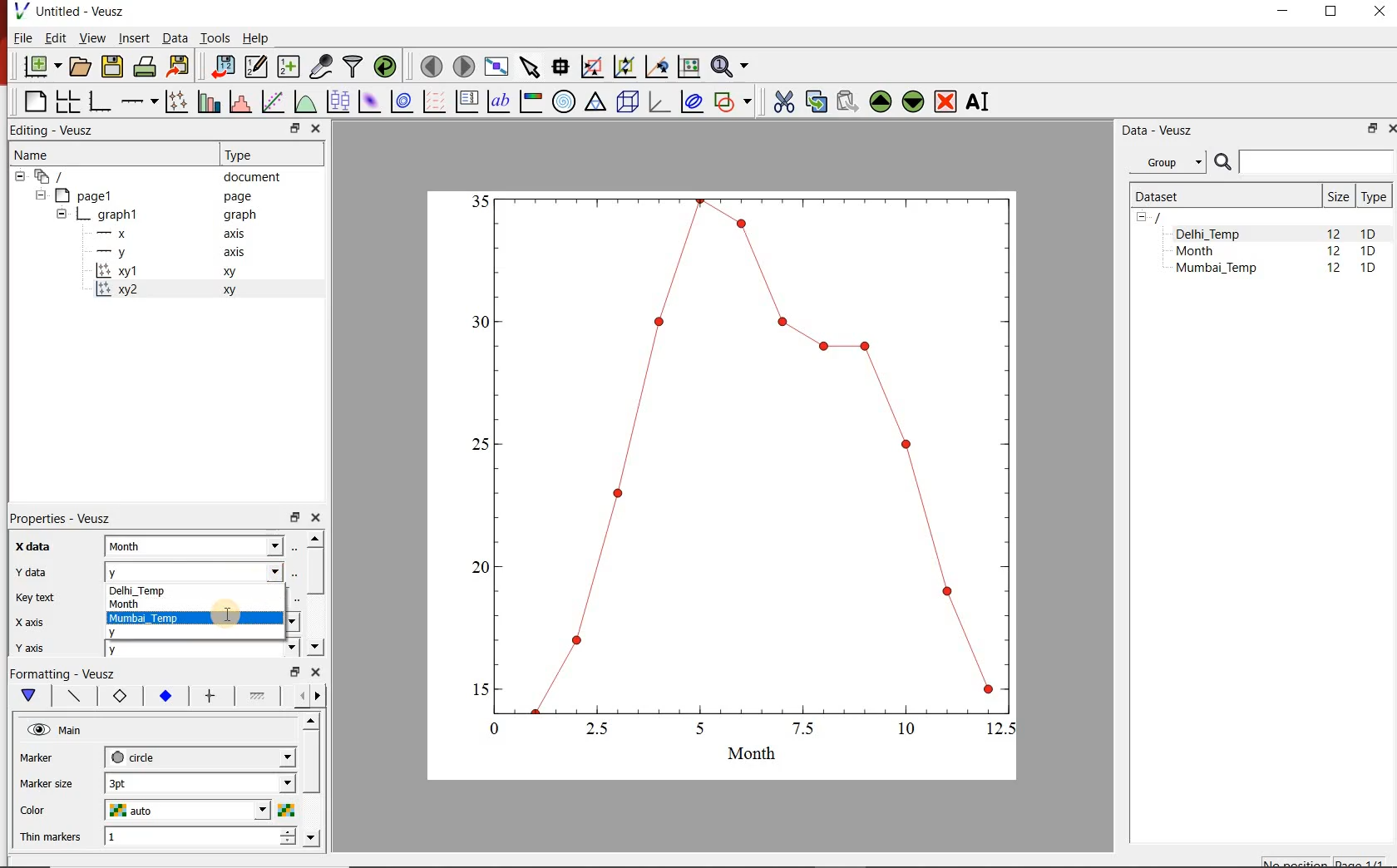 The height and width of the screenshot is (868, 1397). What do you see at coordinates (314, 594) in the screenshot?
I see `scrollbar` at bounding box center [314, 594].